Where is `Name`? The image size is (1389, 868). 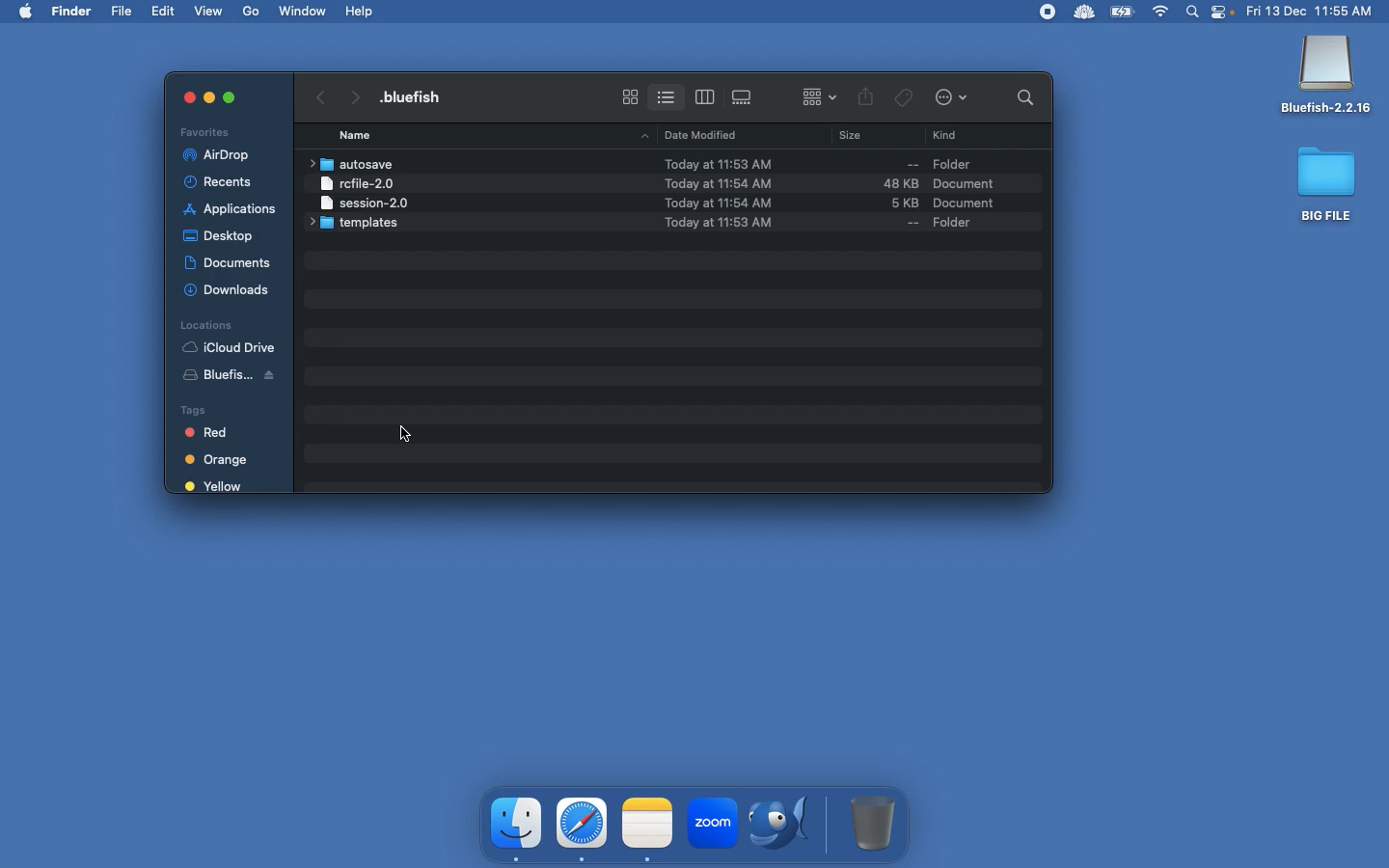 Name is located at coordinates (357, 135).